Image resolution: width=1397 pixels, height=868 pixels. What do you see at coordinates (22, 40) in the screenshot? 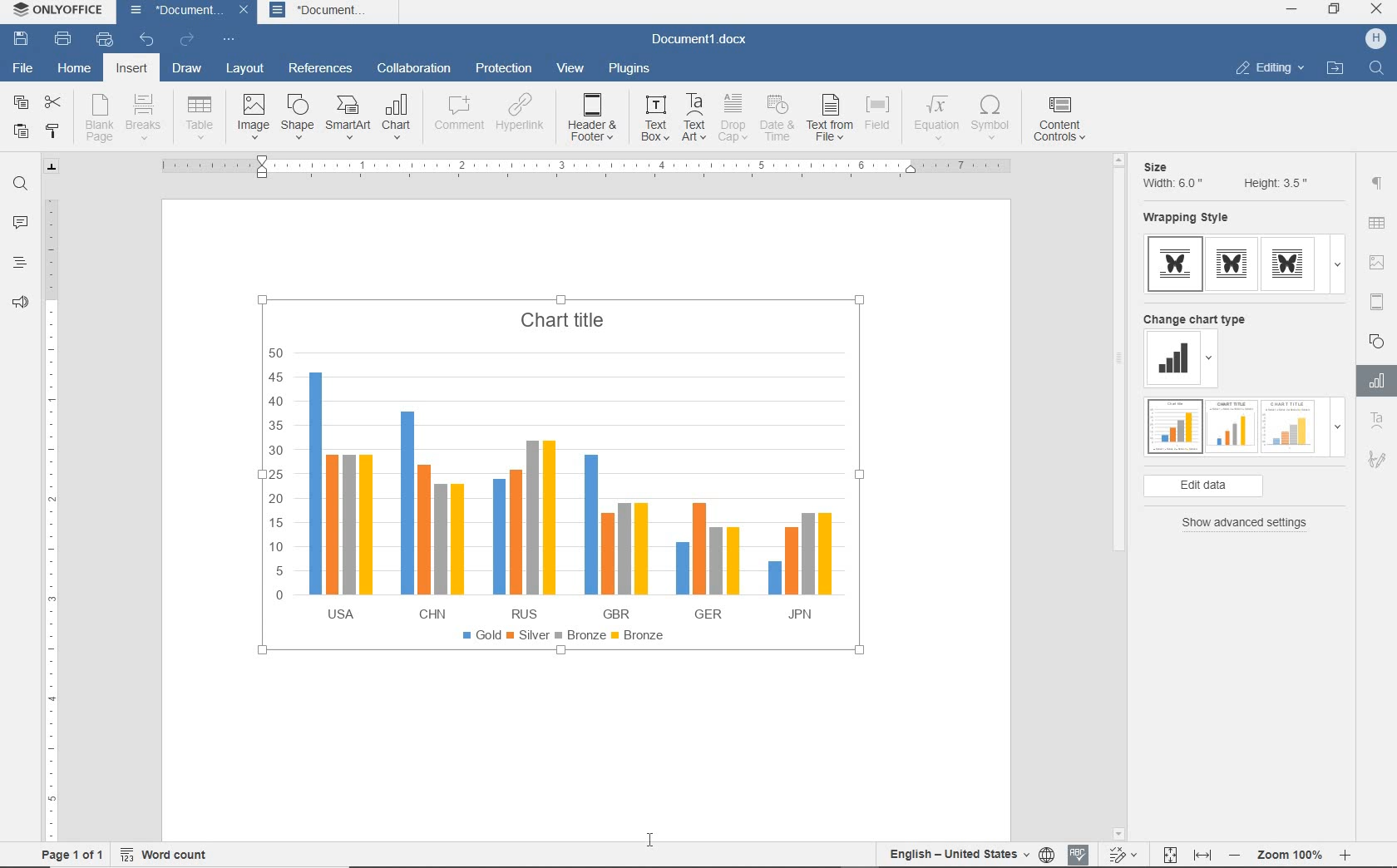
I see `save` at bounding box center [22, 40].